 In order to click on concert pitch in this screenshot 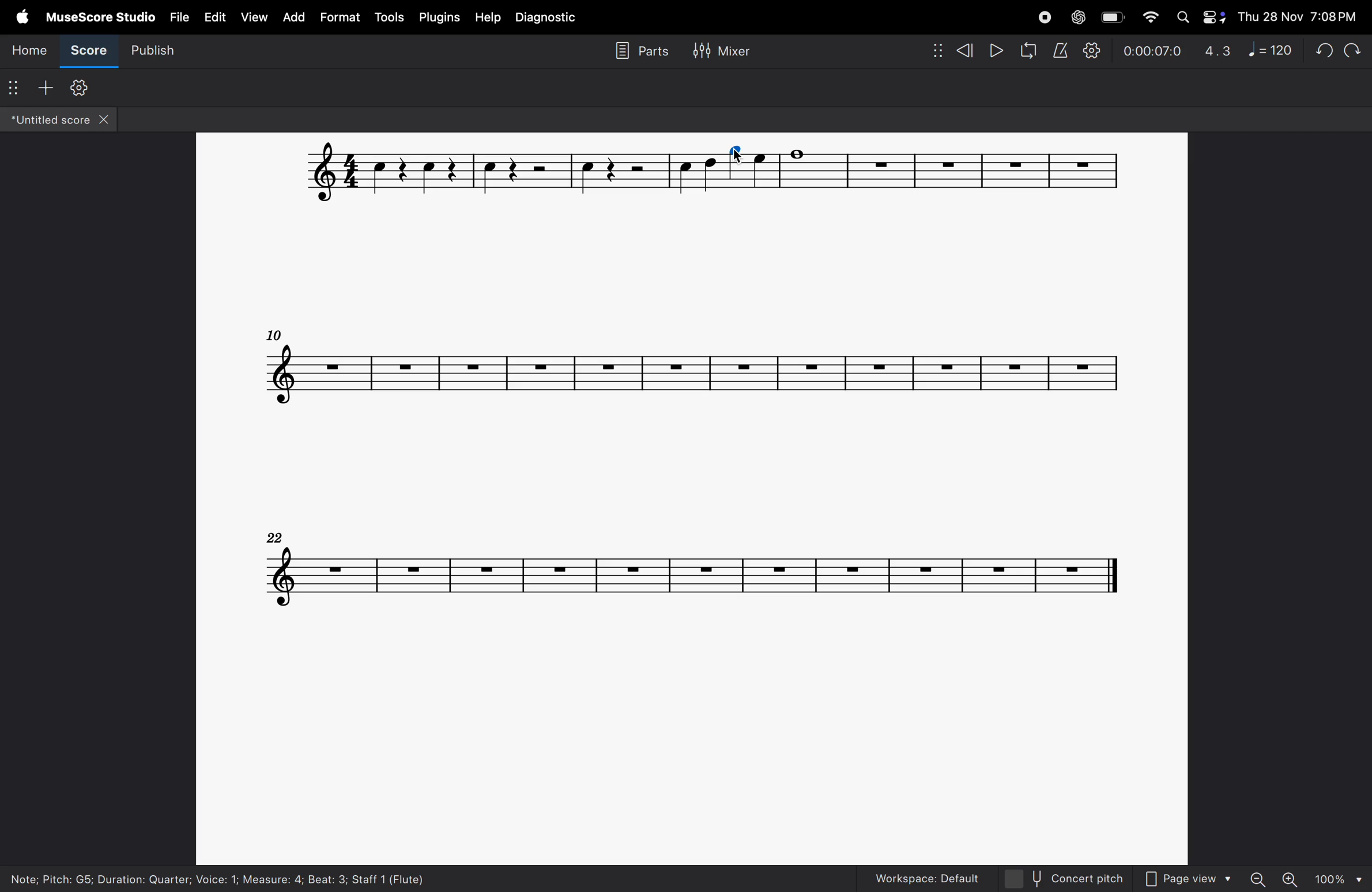, I will do `click(1060, 876)`.